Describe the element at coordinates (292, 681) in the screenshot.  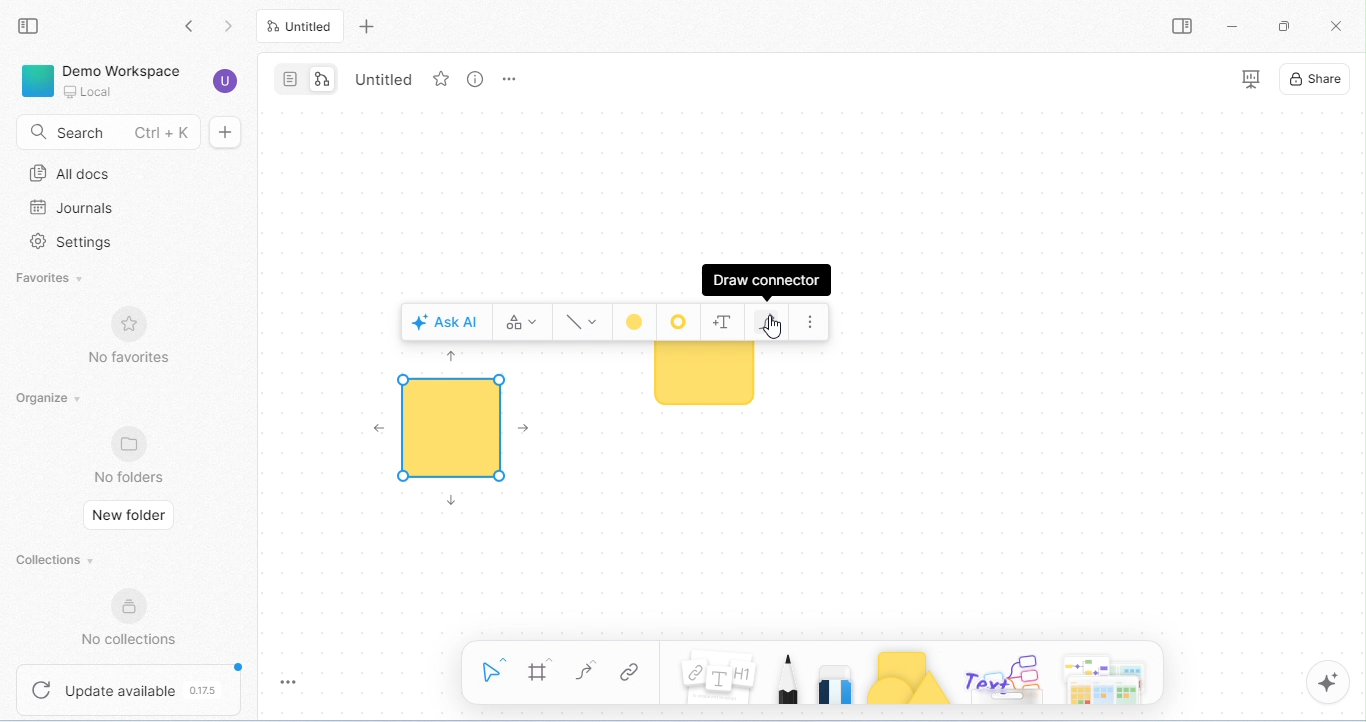
I see `toggle zoom` at that location.